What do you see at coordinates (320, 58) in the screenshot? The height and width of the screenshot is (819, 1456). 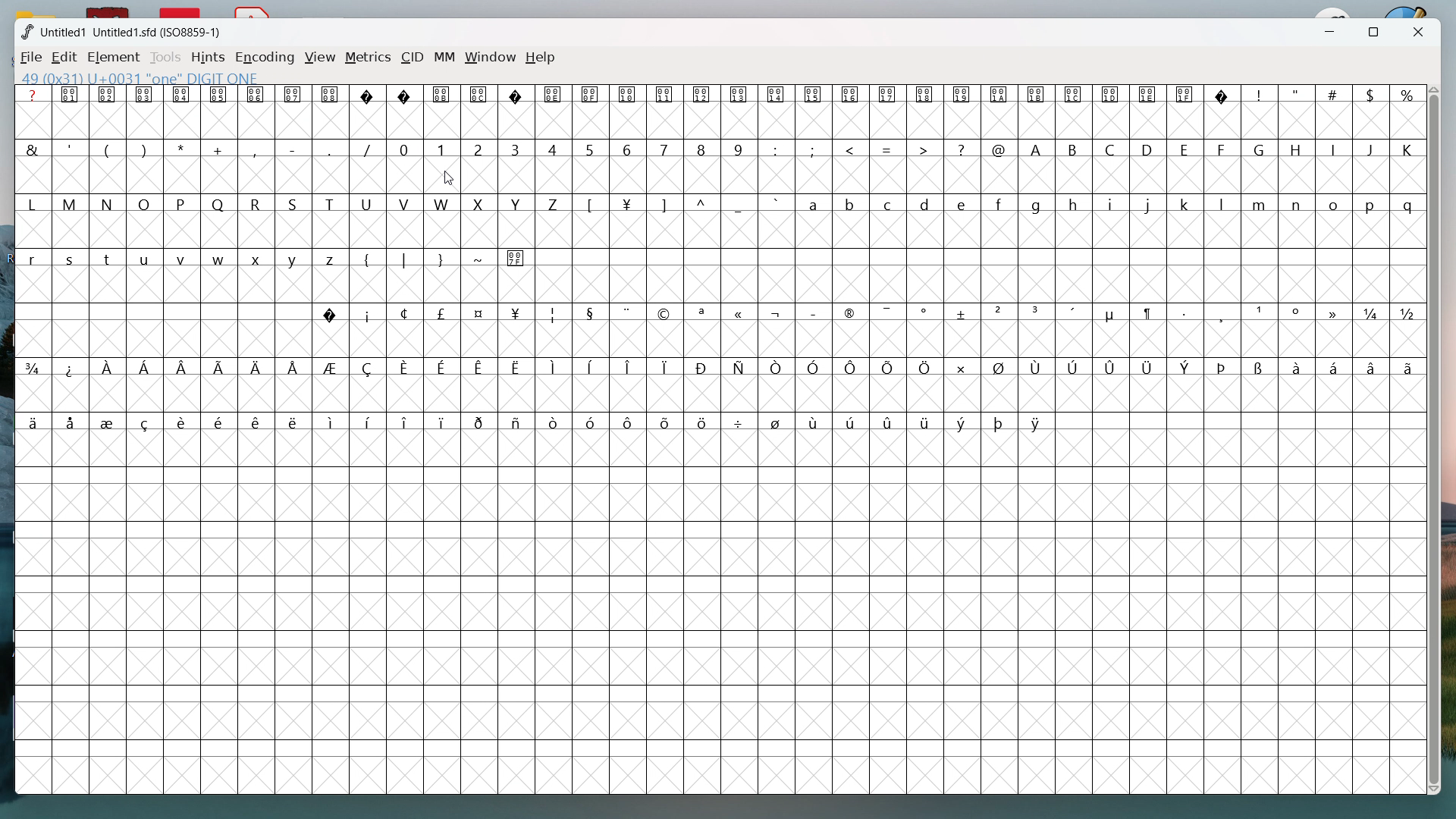 I see `view` at bounding box center [320, 58].